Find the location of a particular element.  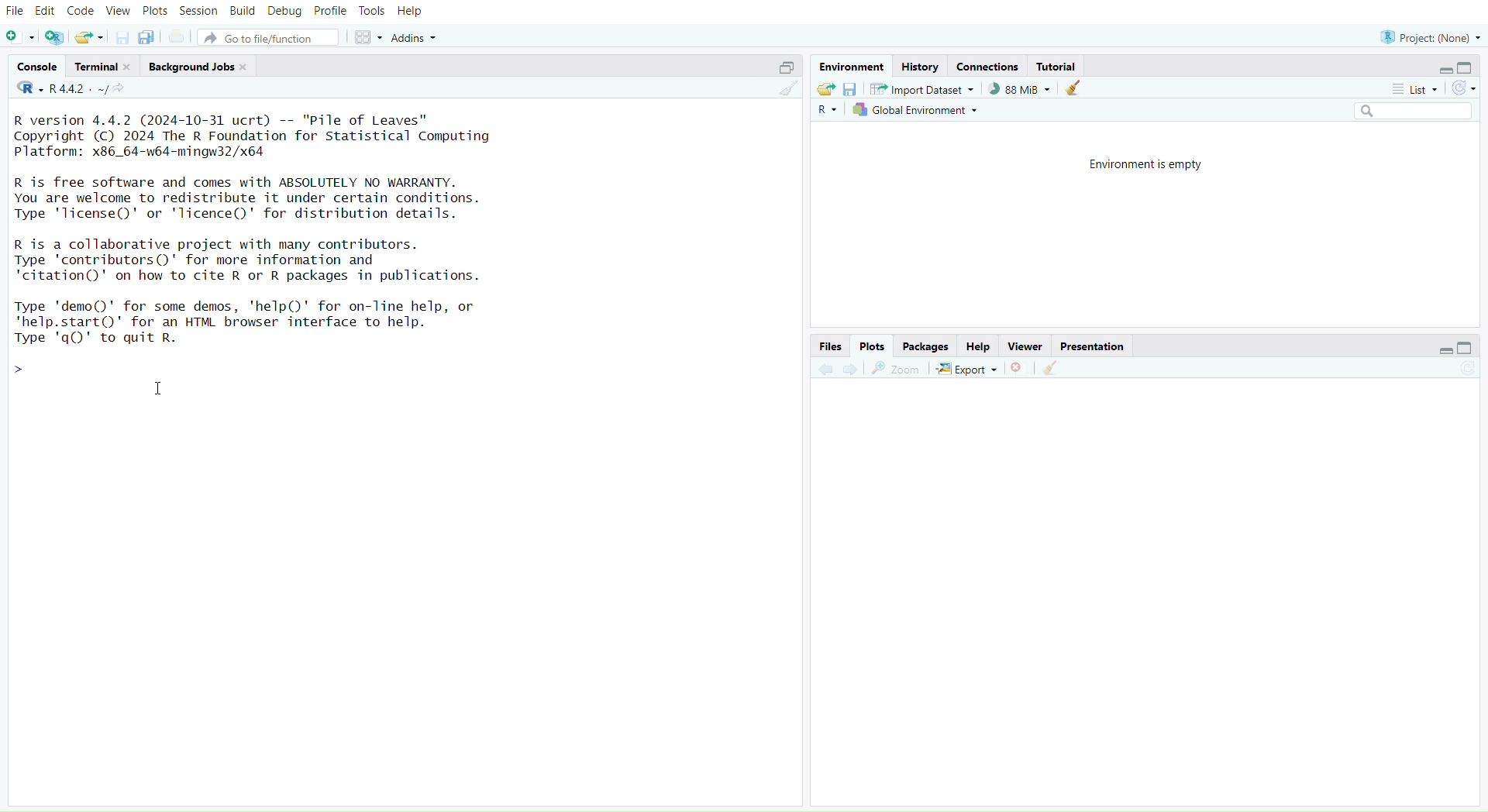

backward is located at coordinates (825, 370).